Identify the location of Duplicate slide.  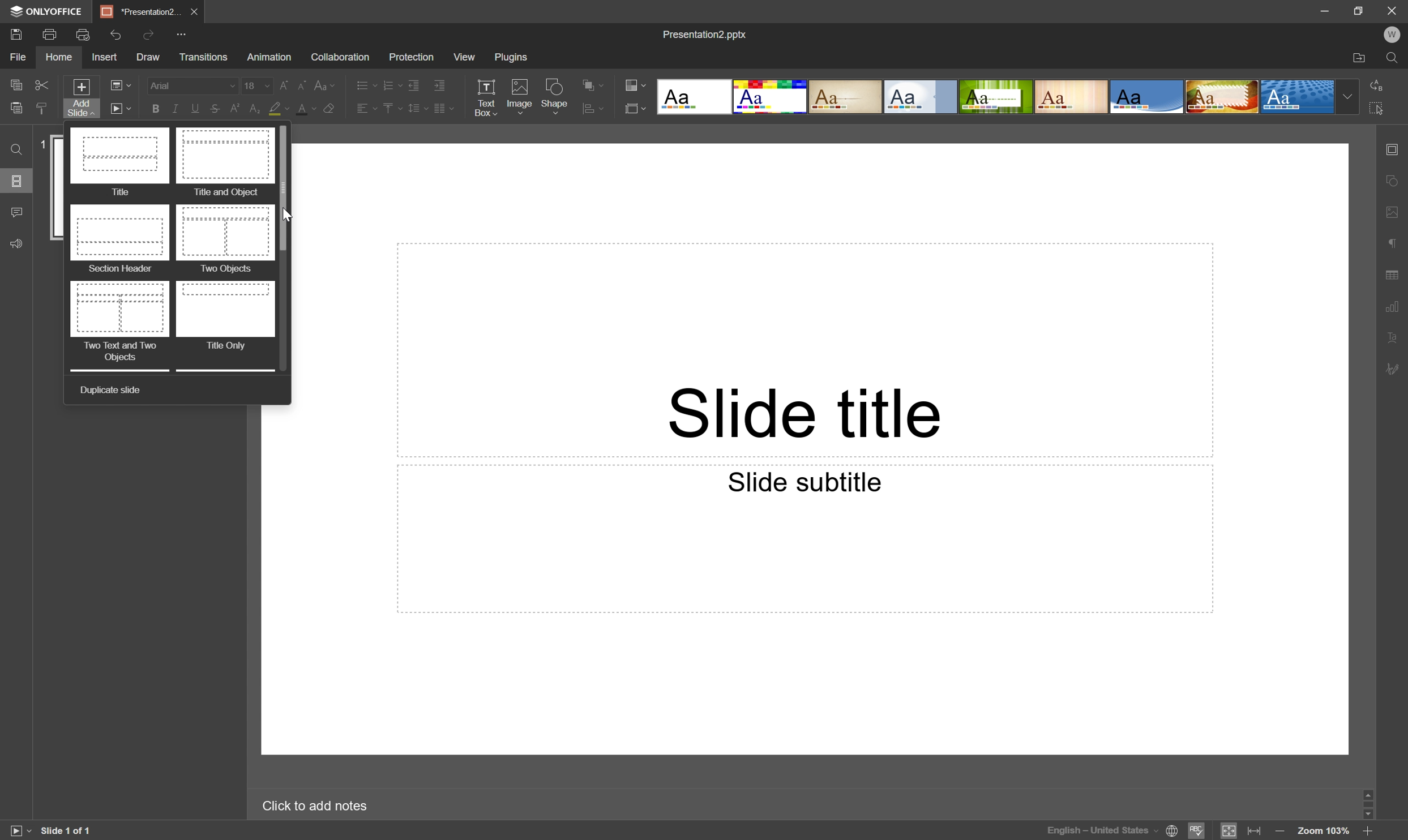
(110, 391).